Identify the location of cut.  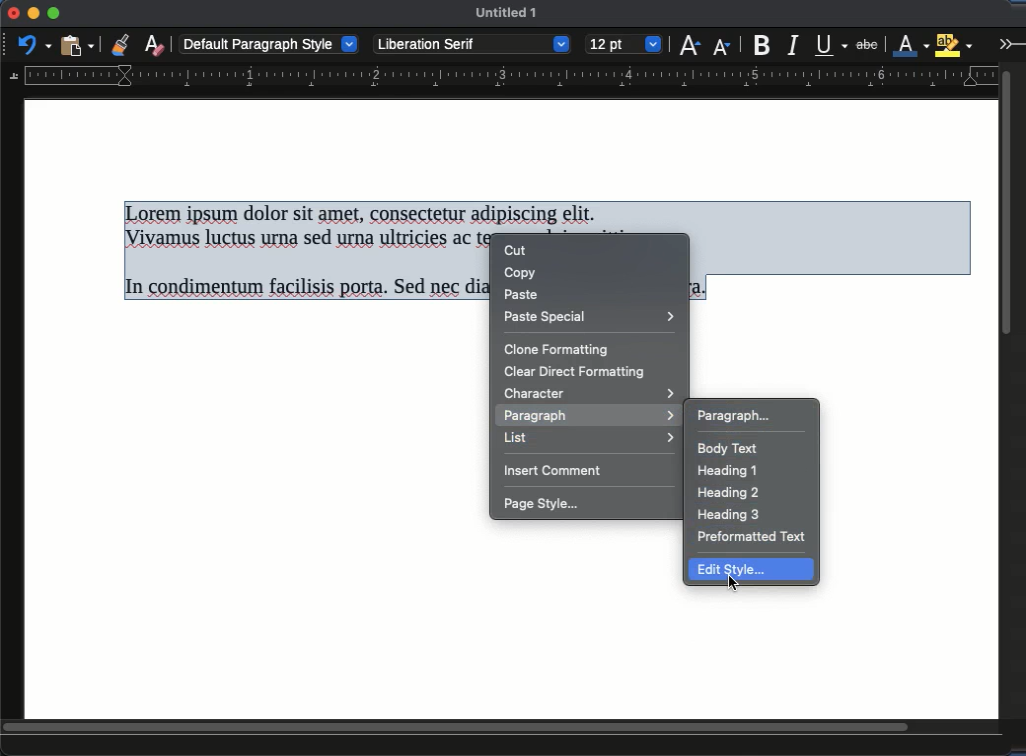
(517, 251).